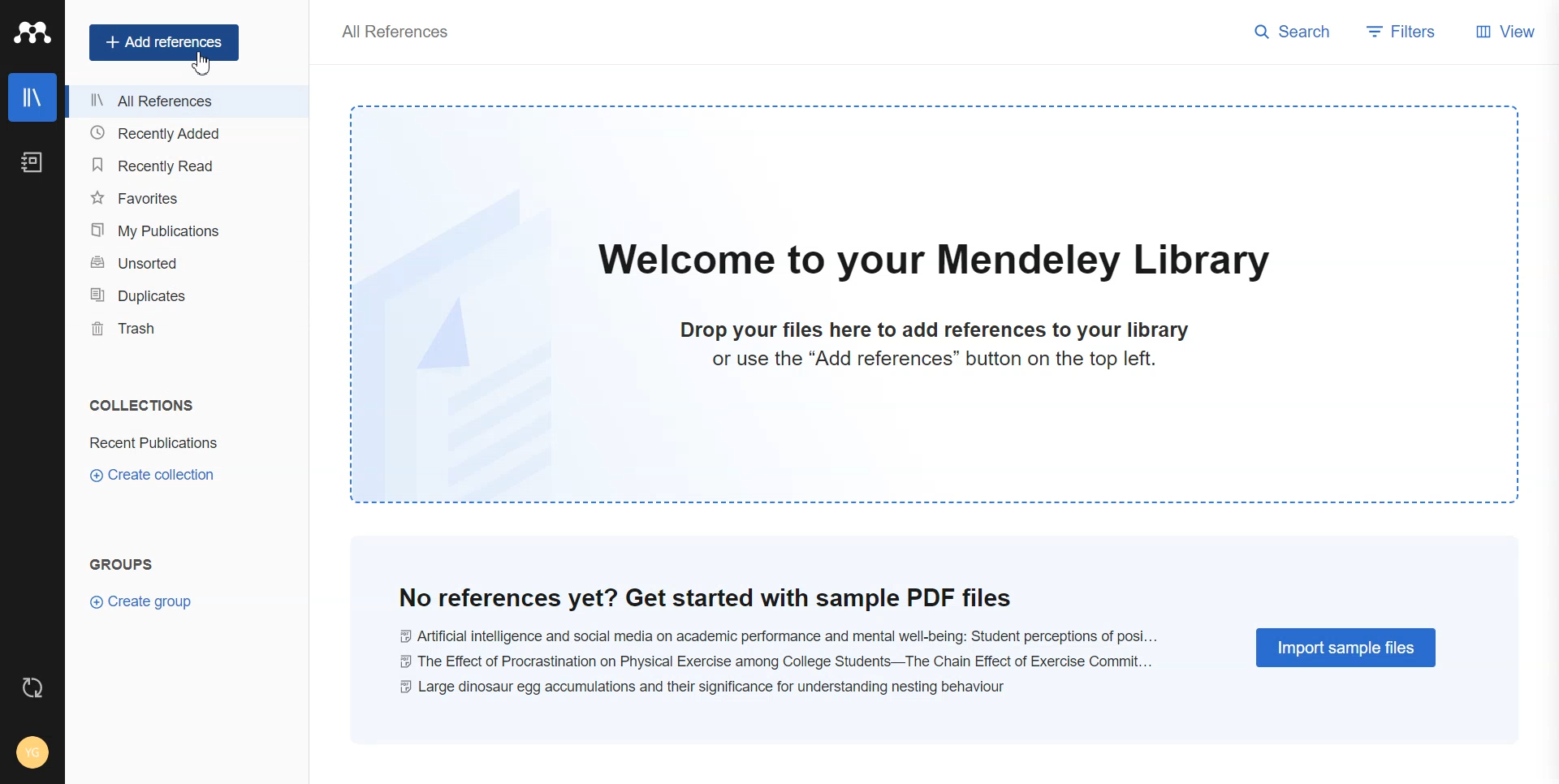 This screenshot has height=784, width=1559. Describe the element at coordinates (33, 33) in the screenshot. I see `Logo` at that location.